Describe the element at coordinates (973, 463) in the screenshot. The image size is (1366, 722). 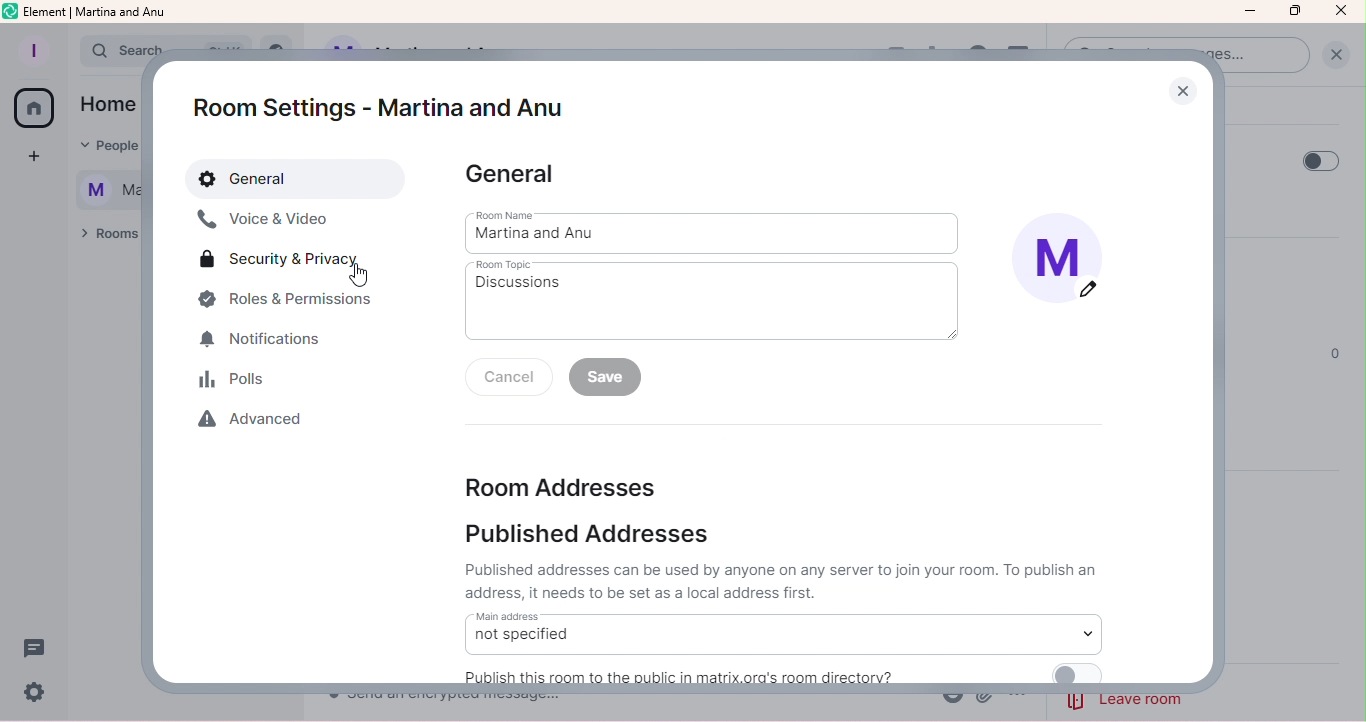
I see `expand` at that location.